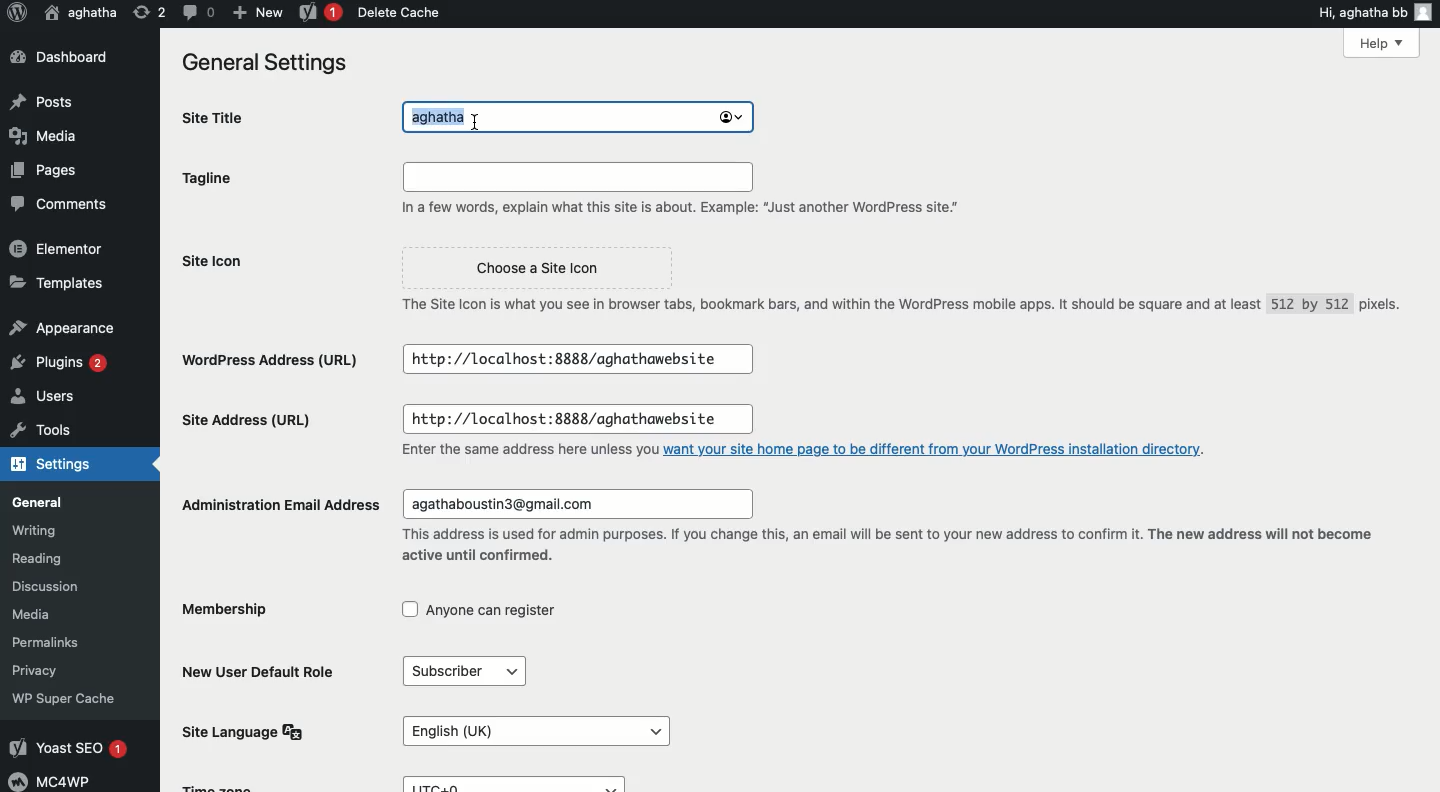 Image resolution: width=1440 pixels, height=792 pixels. Describe the element at coordinates (240, 612) in the screenshot. I see `Membership` at that location.